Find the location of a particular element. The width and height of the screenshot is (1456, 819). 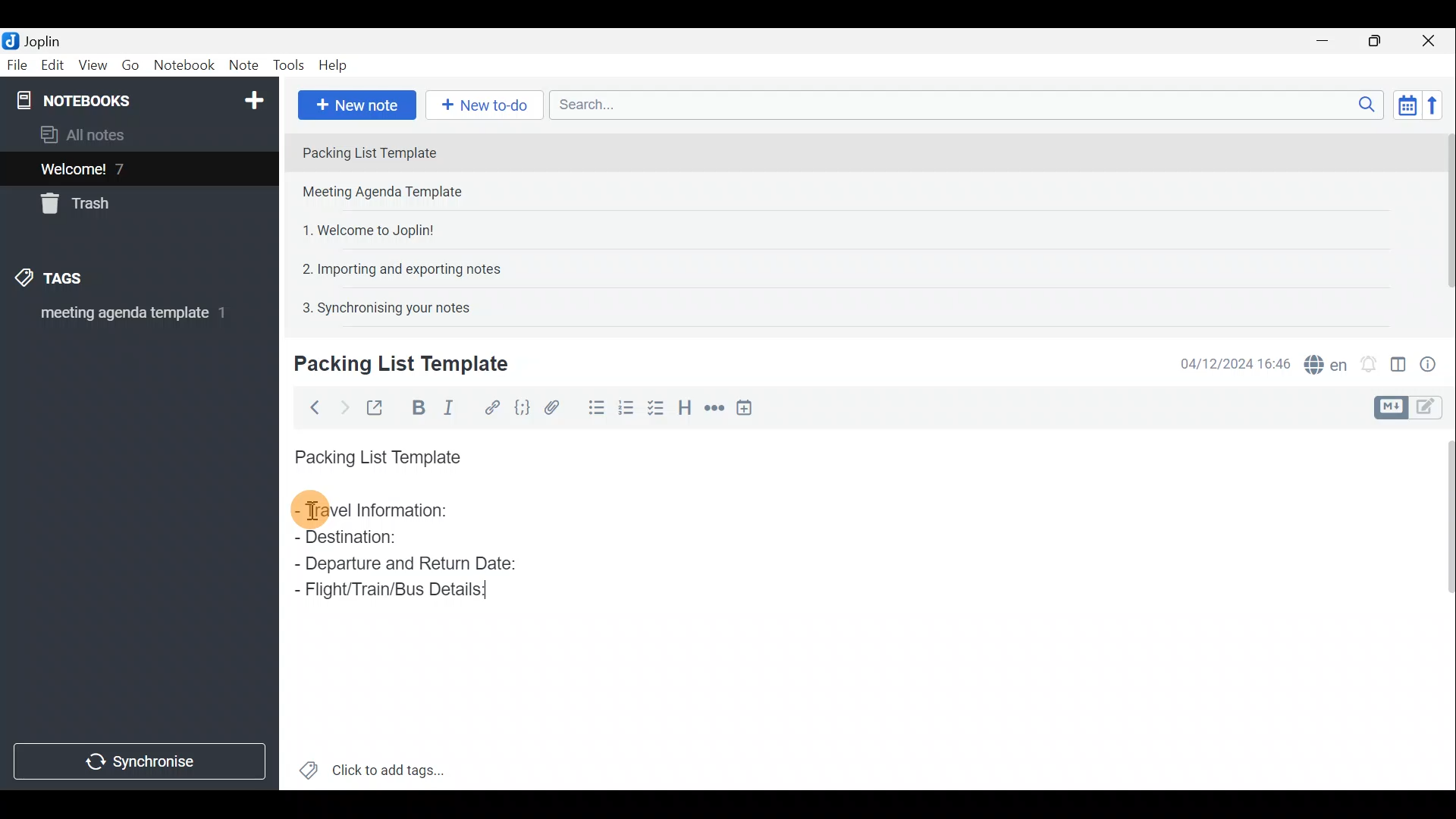

Edit is located at coordinates (49, 66).